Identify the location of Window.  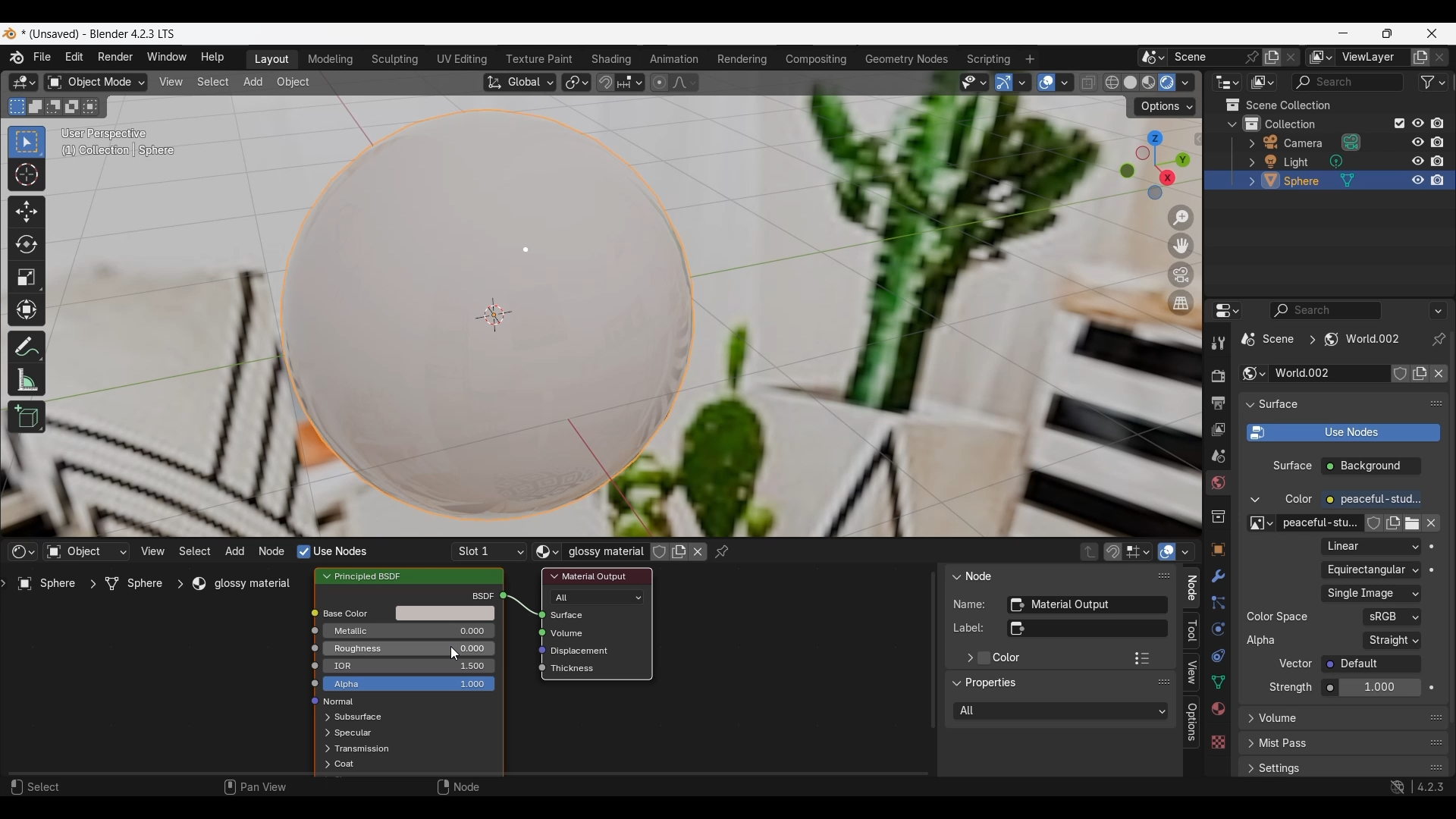
(166, 58).